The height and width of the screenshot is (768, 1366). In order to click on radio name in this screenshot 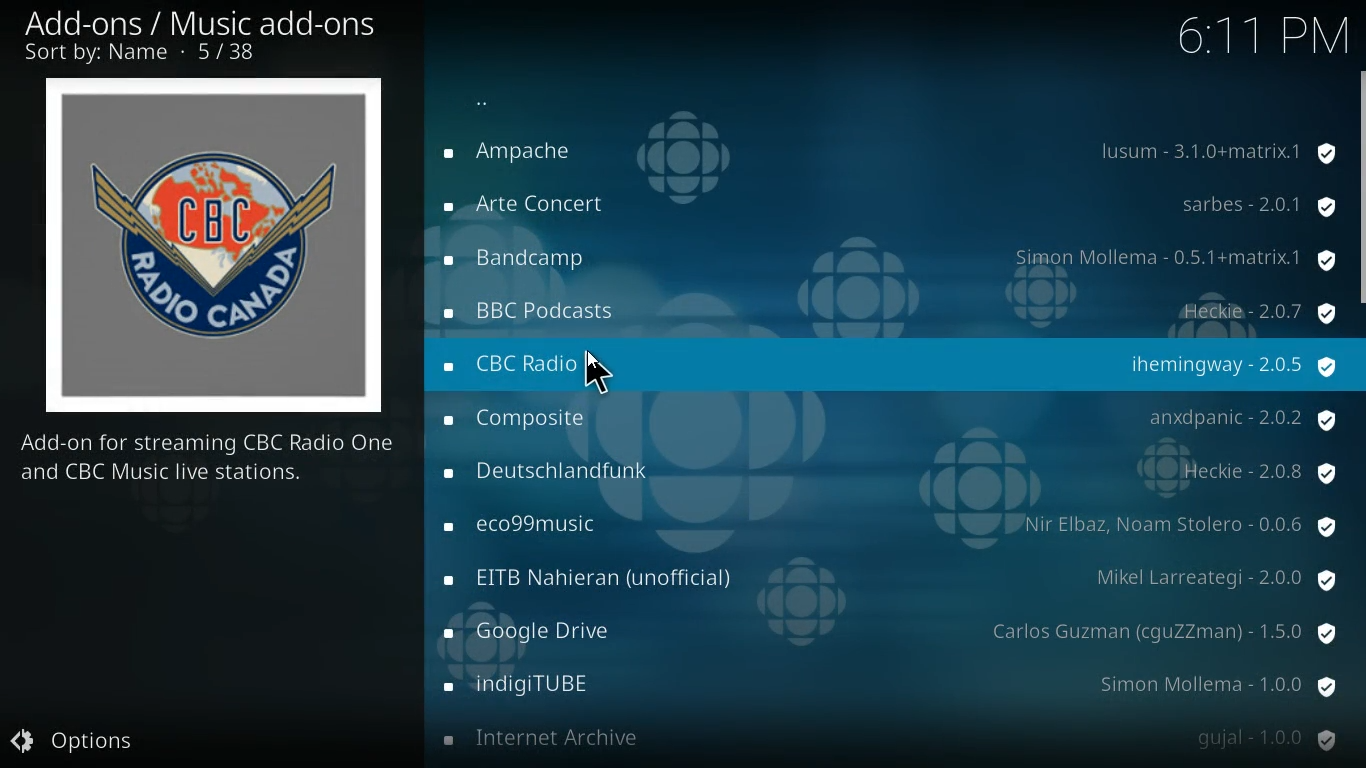, I will do `click(527, 522)`.